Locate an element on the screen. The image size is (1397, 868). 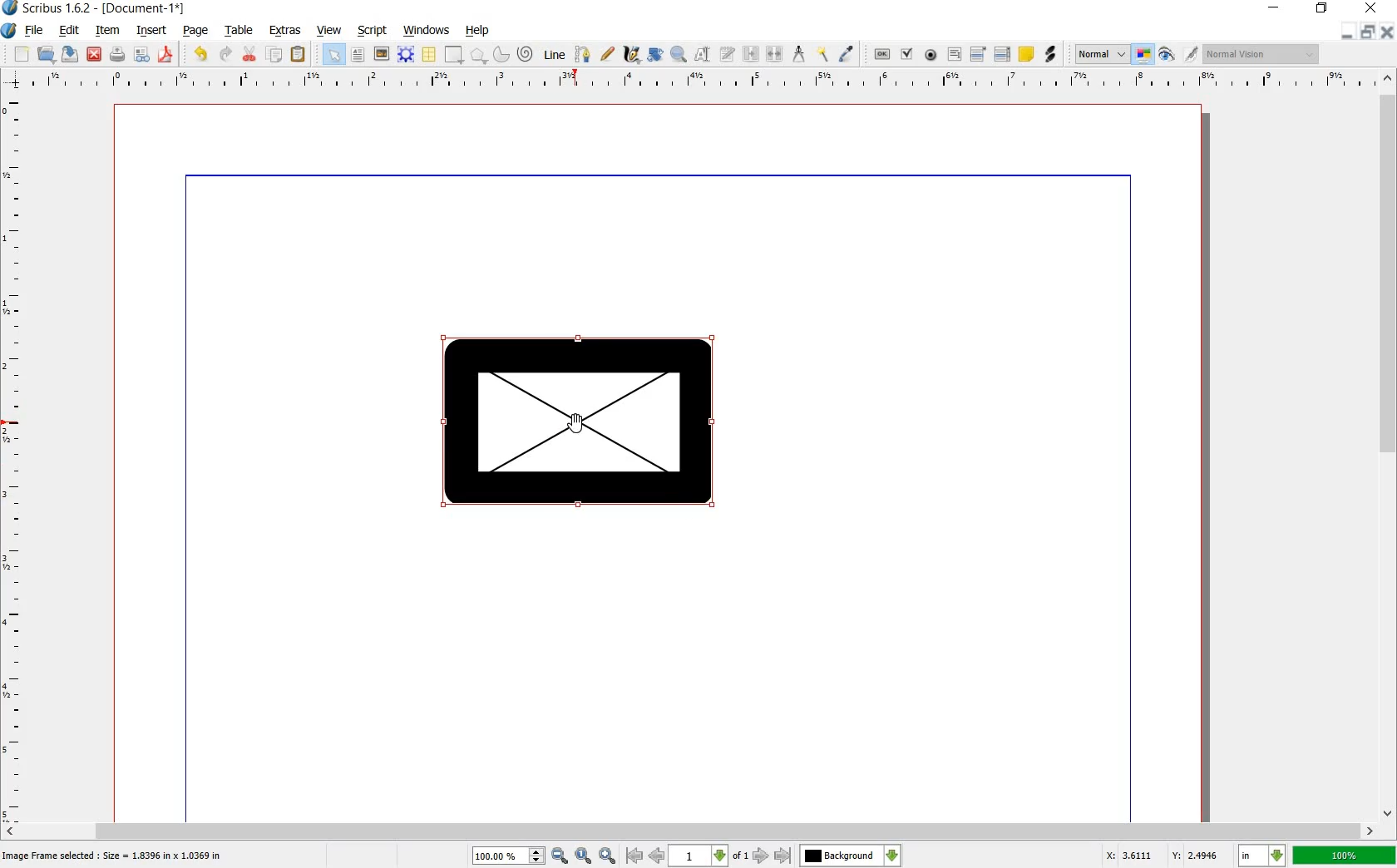
windows is located at coordinates (425, 28).